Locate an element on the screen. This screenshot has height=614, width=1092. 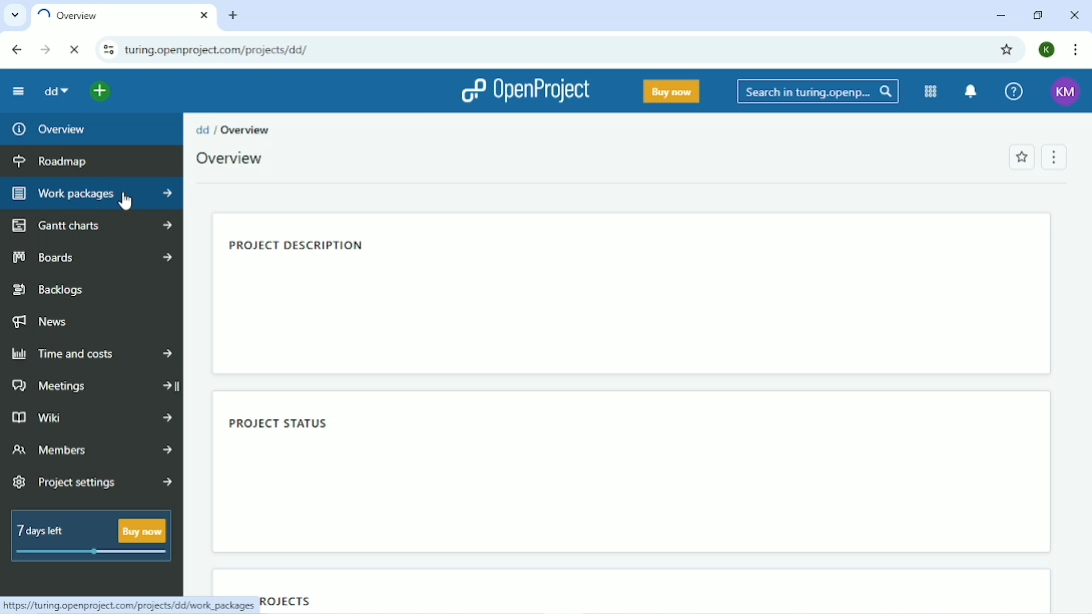
Projects is located at coordinates (287, 601).